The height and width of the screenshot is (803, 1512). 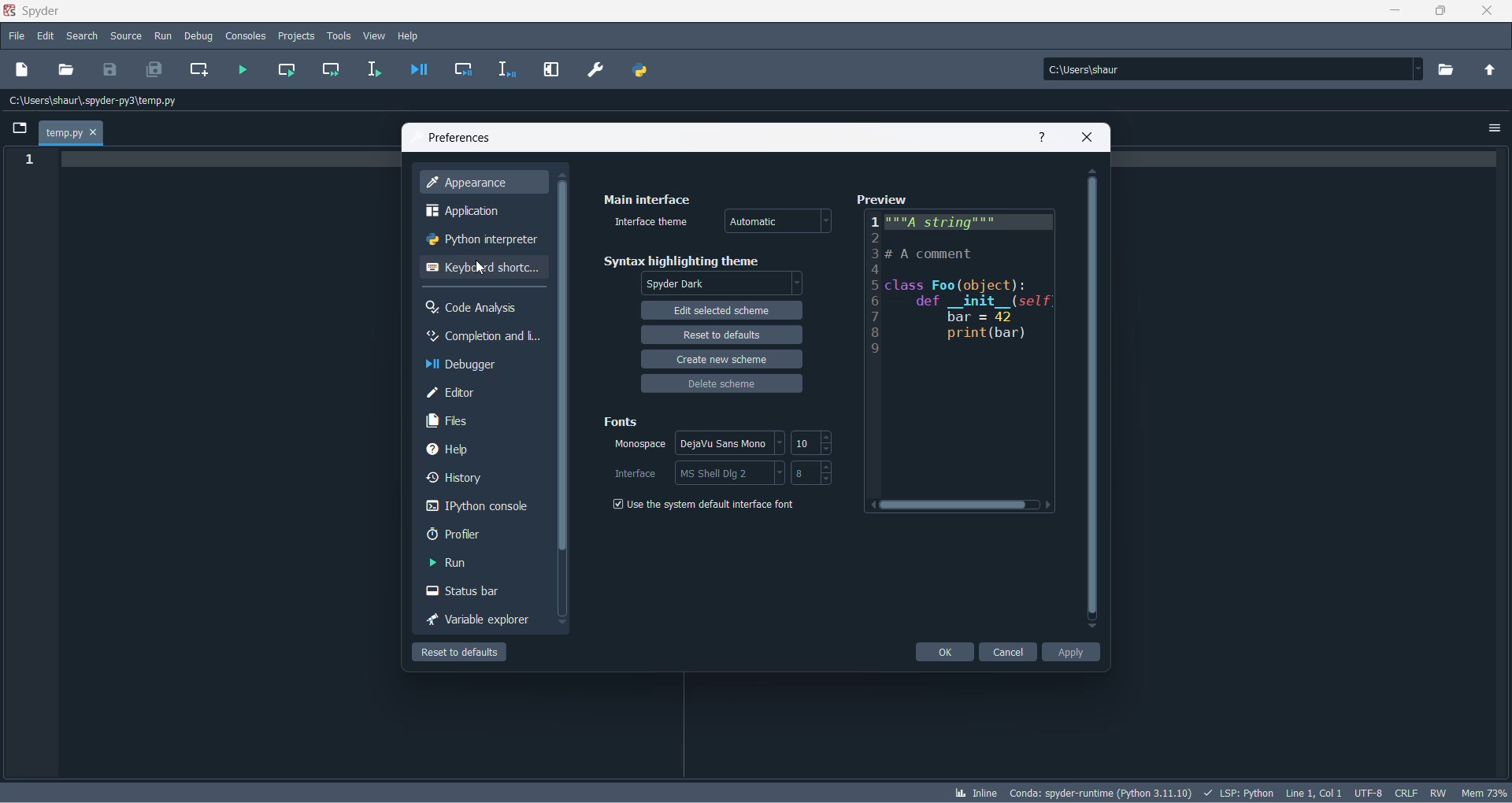 I want to click on default checkbox, so click(x=712, y=506).